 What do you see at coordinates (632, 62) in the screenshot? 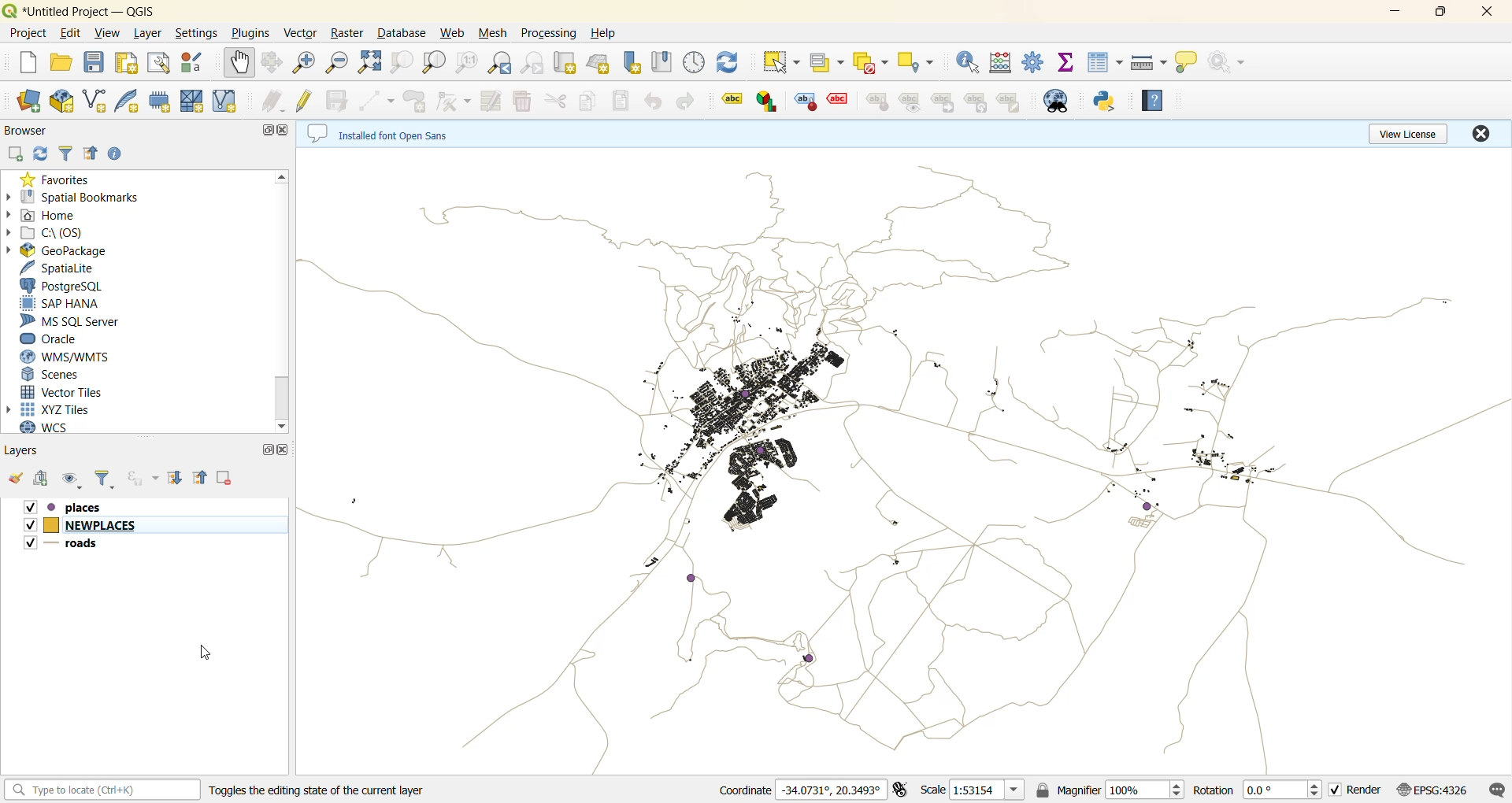
I see `new spatial bookmark` at bounding box center [632, 62].